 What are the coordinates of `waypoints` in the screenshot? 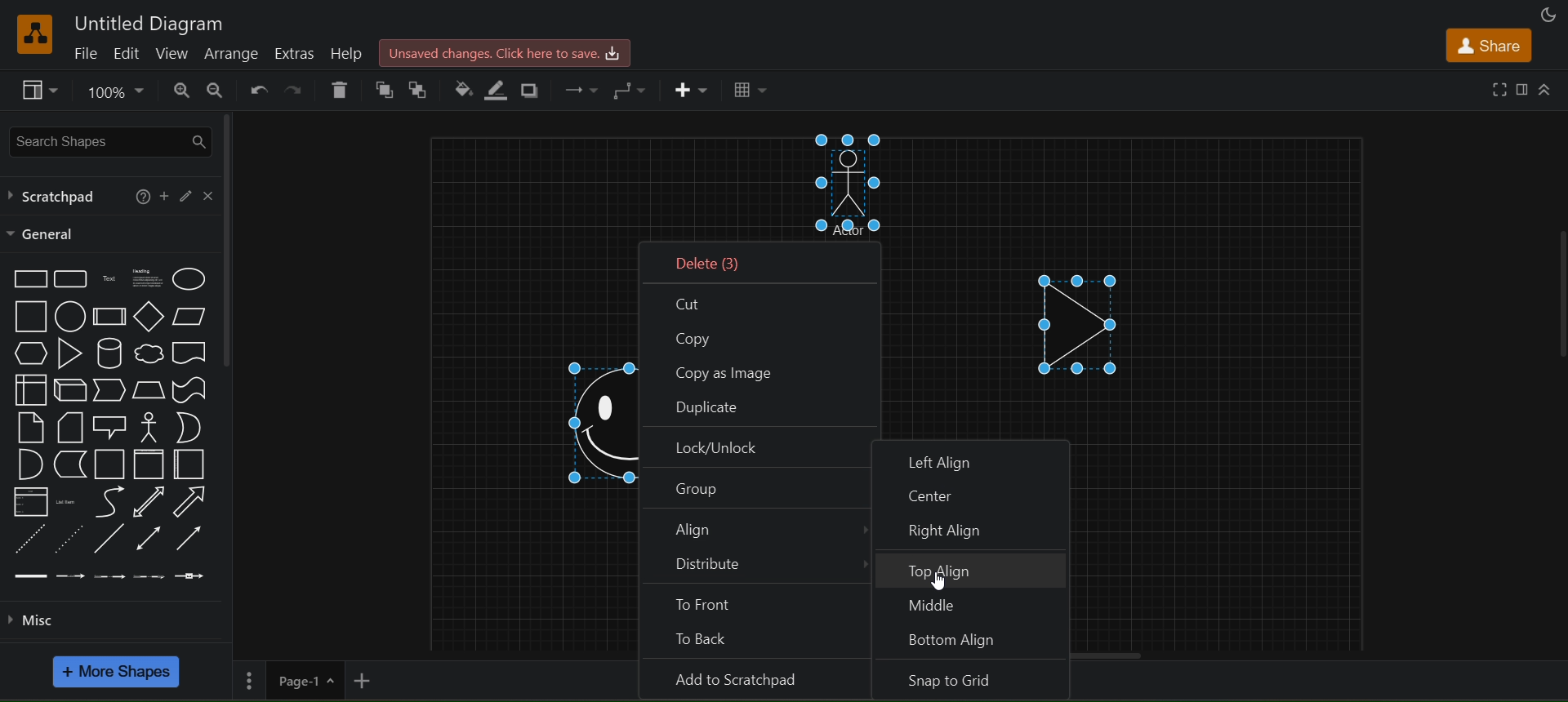 It's located at (632, 89).